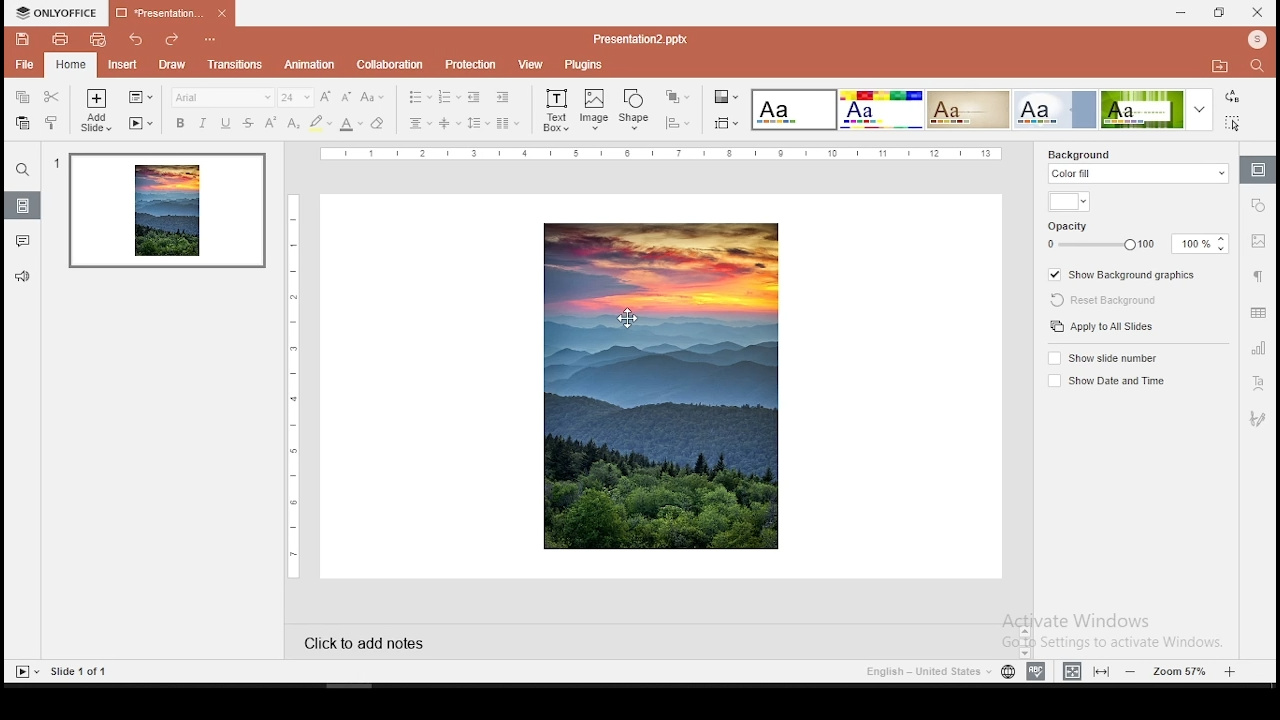 This screenshot has width=1280, height=720. Describe the element at coordinates (346, 97) in the screenshot. I see `decrease font size` at that location.